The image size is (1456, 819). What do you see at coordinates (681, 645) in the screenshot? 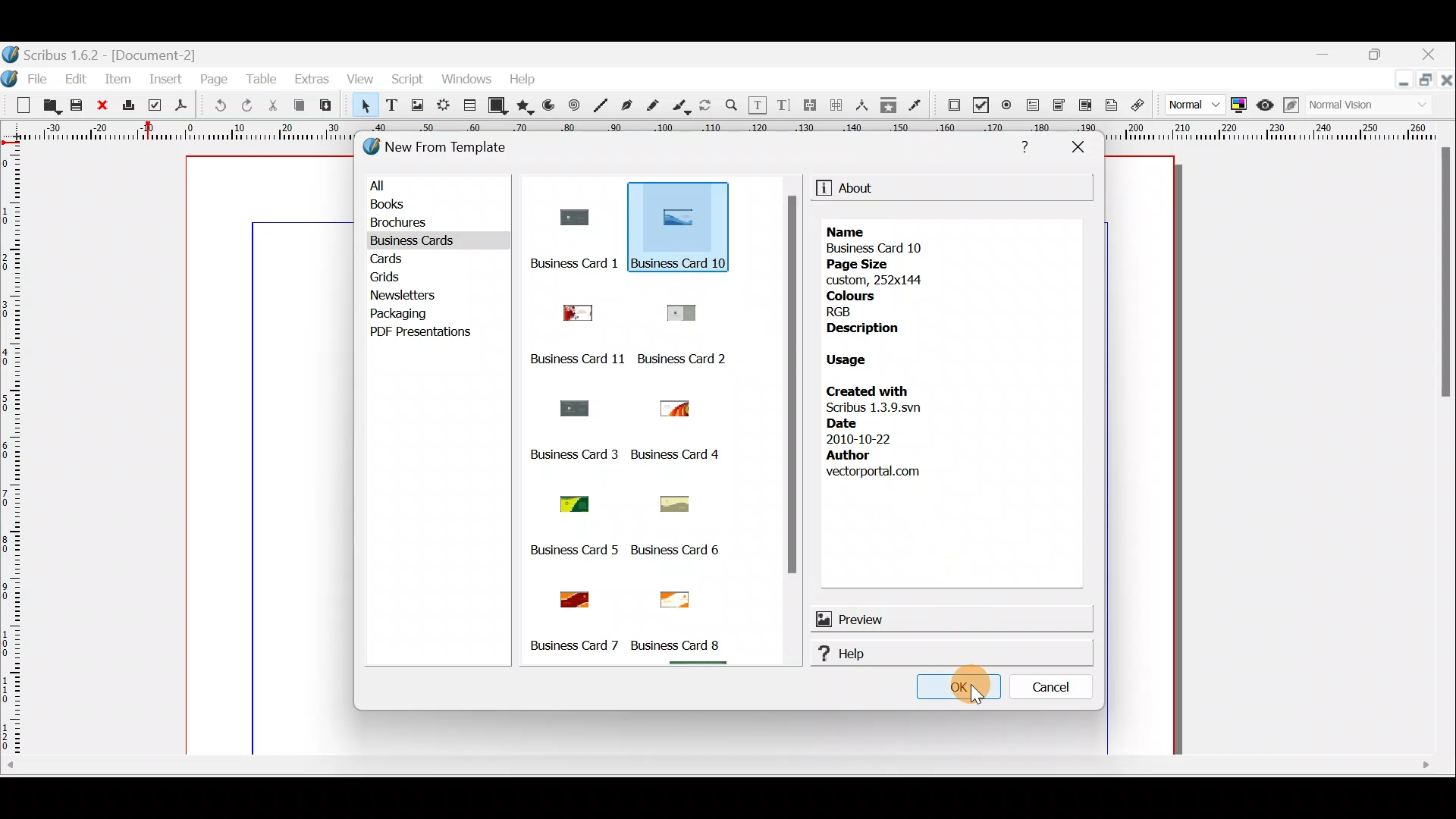
I see `Business card 6` at bounding box center [681, 645].